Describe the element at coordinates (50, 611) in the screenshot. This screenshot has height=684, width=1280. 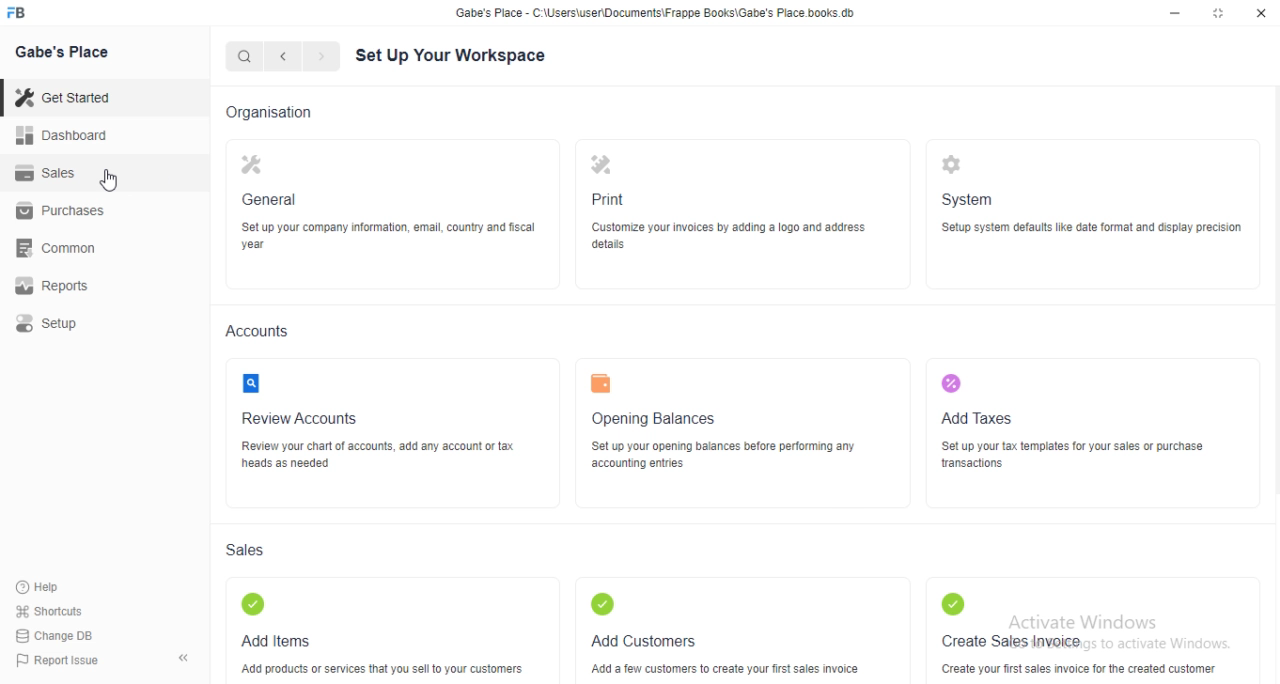
I see `shortcuts` at that location.